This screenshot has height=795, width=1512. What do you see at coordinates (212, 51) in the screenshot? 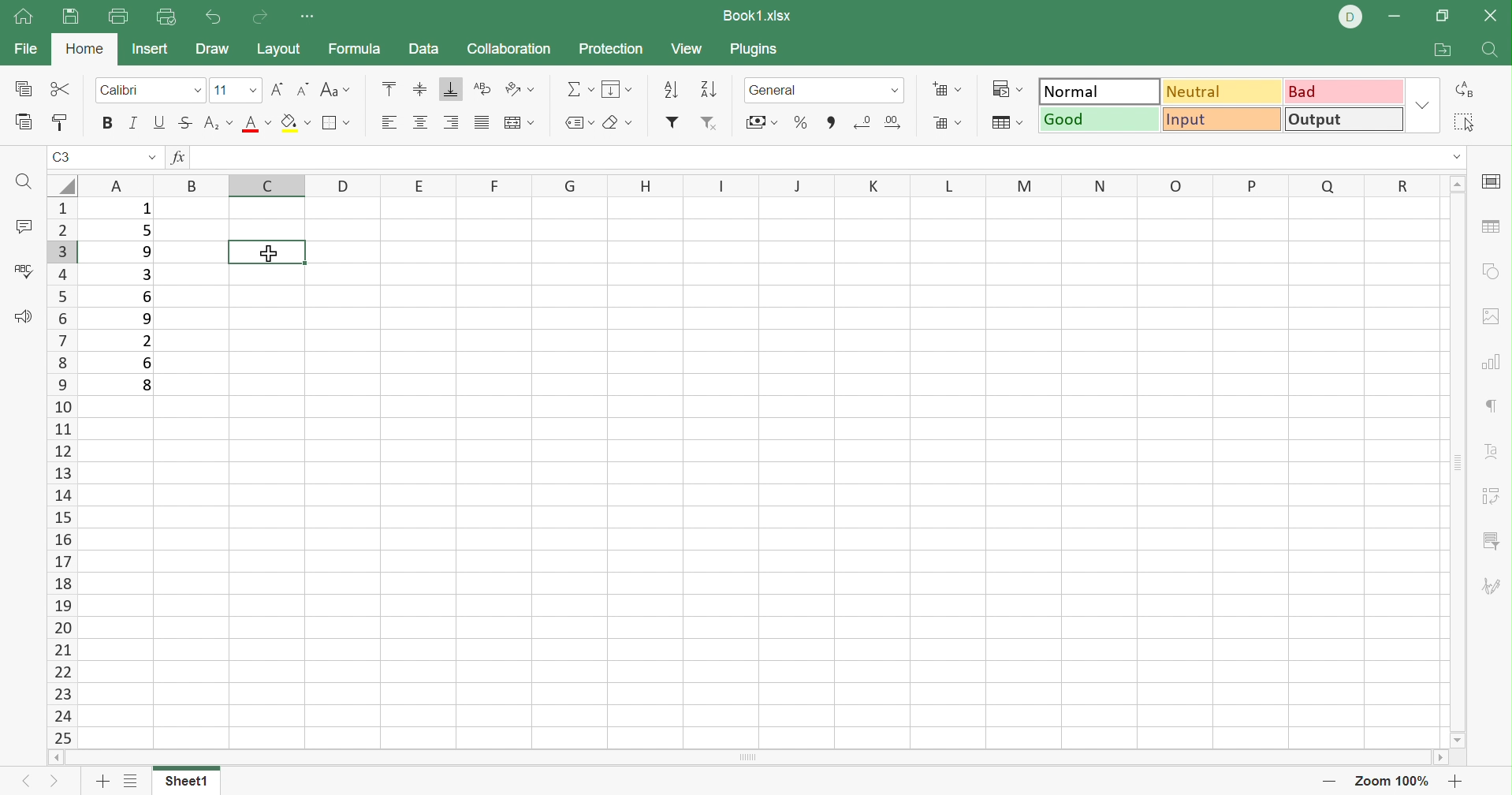
I see `Draw` at bounding box center [212, 51].